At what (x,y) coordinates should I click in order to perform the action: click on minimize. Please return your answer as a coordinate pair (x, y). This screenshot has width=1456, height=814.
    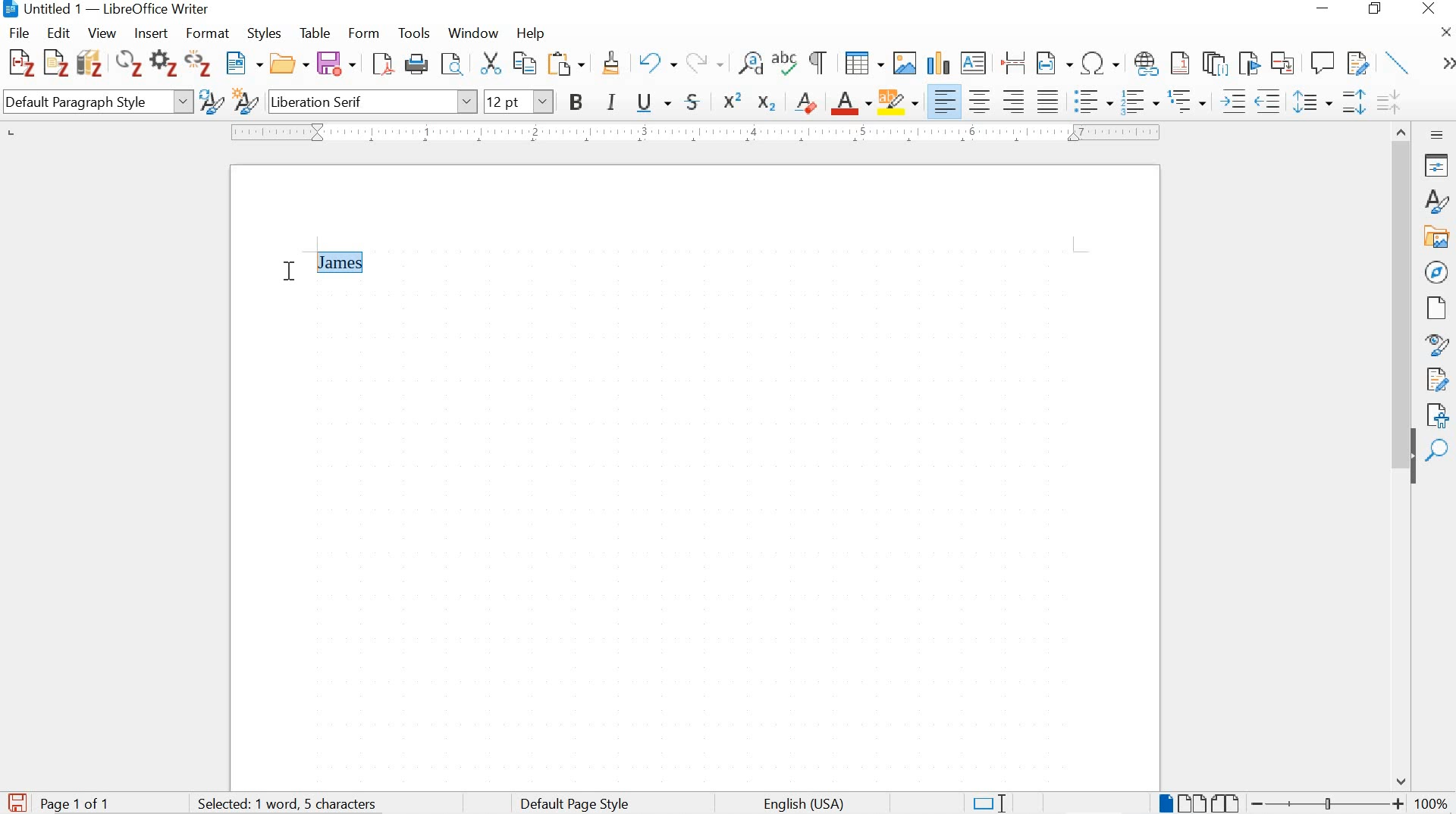
    Looking at the image, I should click on (1321, 8).